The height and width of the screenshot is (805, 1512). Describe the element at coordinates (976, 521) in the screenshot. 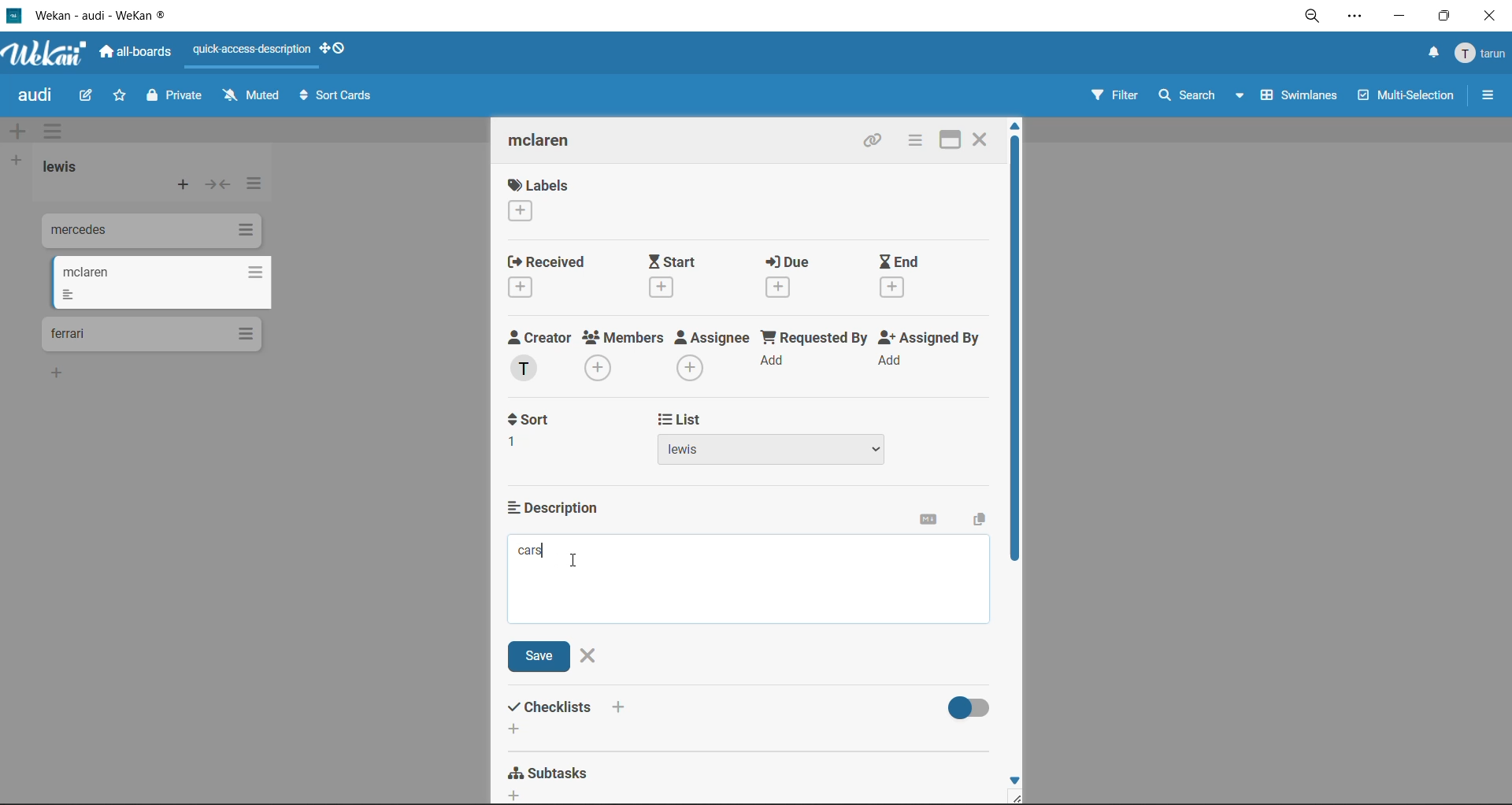

I see `copy` at that location.